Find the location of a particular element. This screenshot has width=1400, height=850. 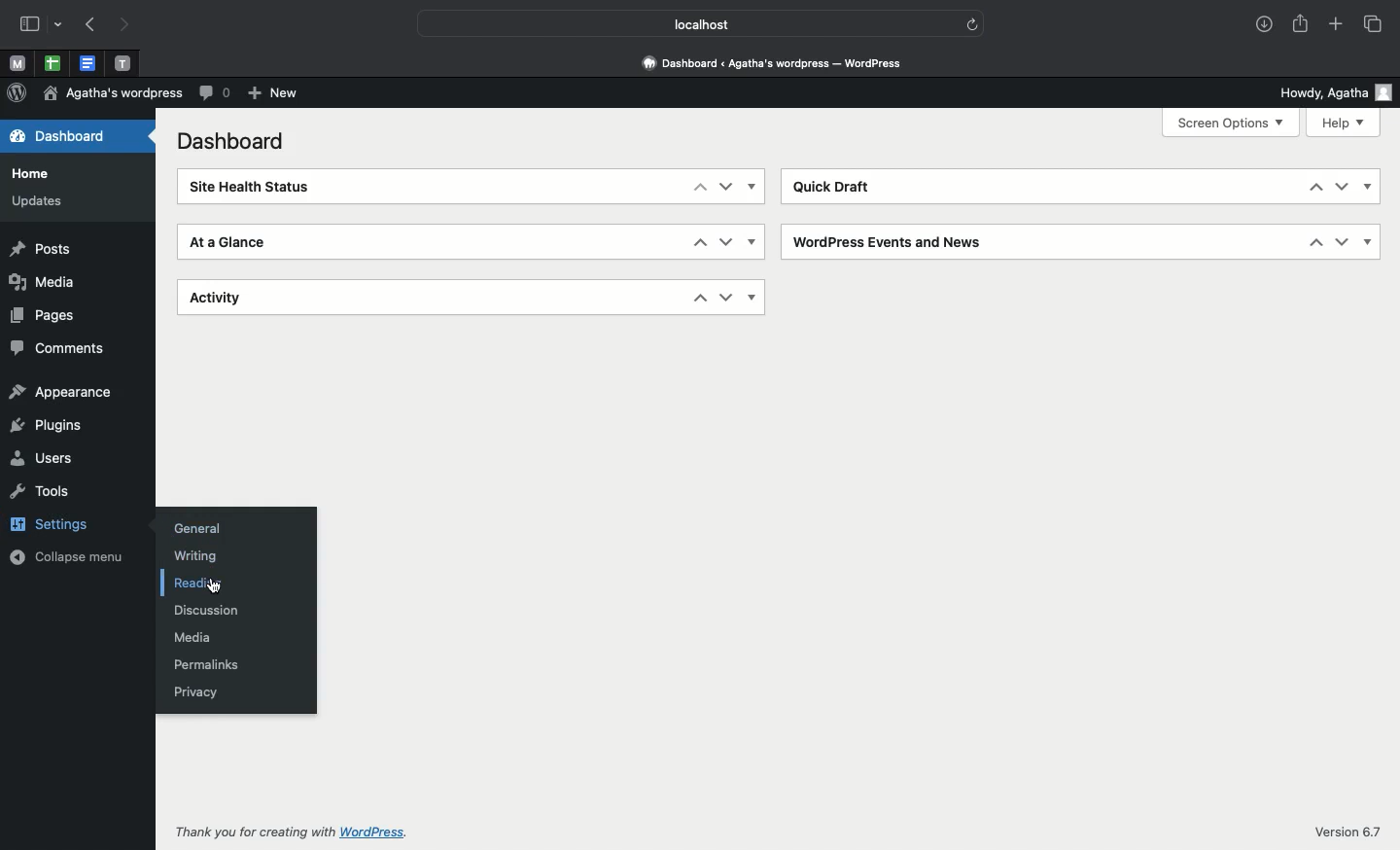

Settings is located at coordinates (48, 522).